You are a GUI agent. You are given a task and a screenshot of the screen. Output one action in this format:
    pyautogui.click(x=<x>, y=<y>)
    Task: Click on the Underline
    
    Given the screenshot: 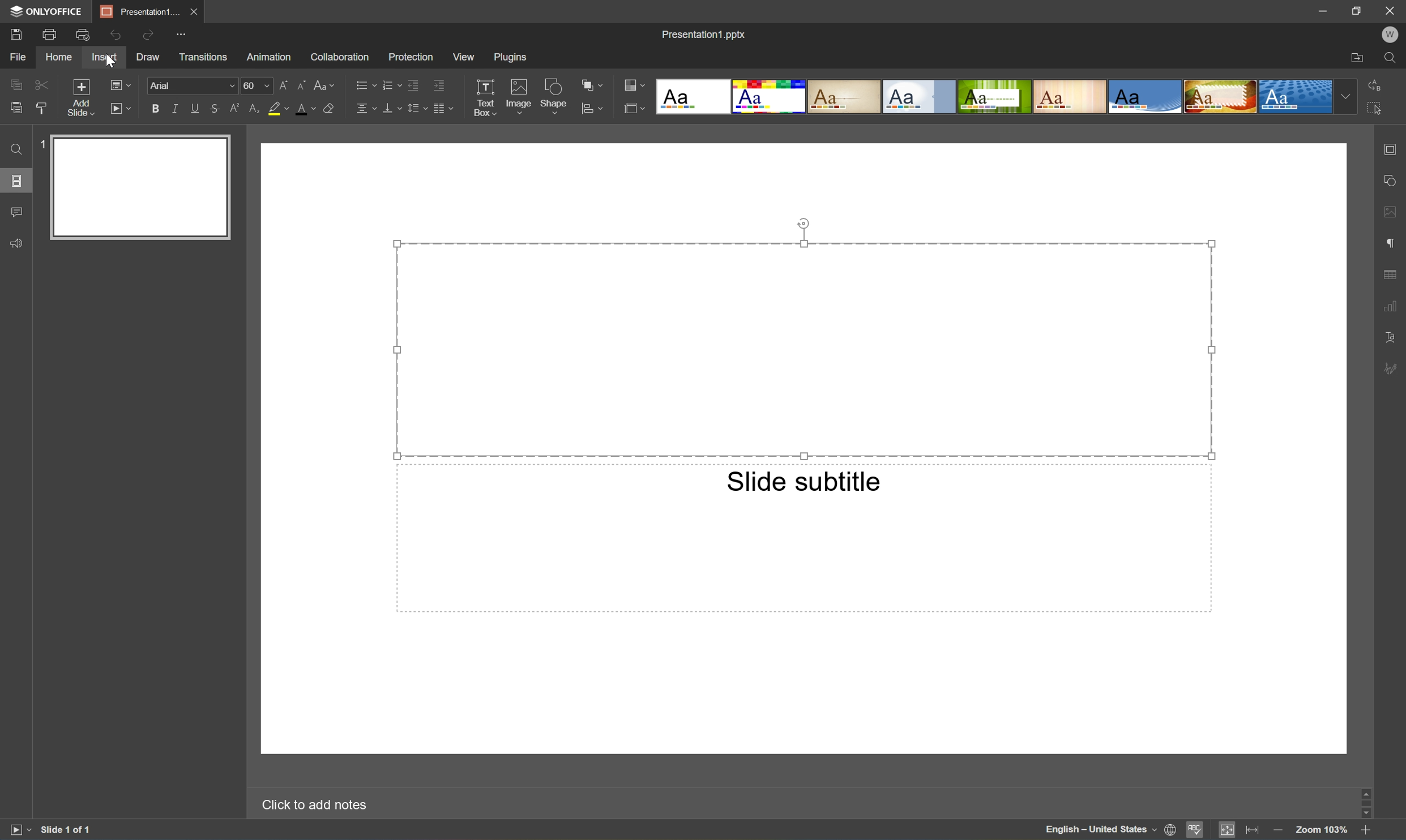 What is the action you would take?
    pyautogui.click(x=194, y=109)
    